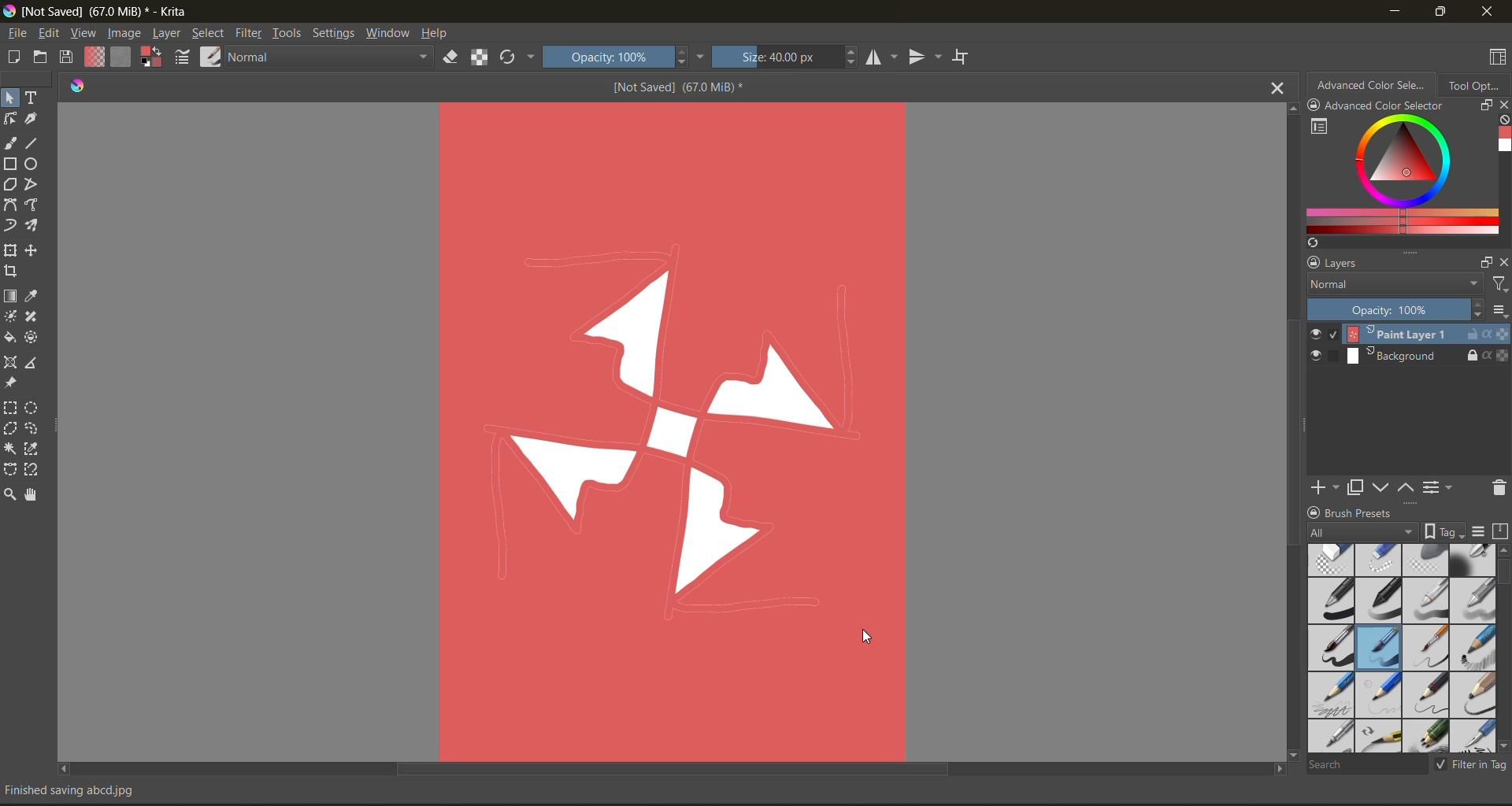  What do you see at coordinates (33, 429) in the screenshot?
I see `tools` at bounding box center [33, 429].